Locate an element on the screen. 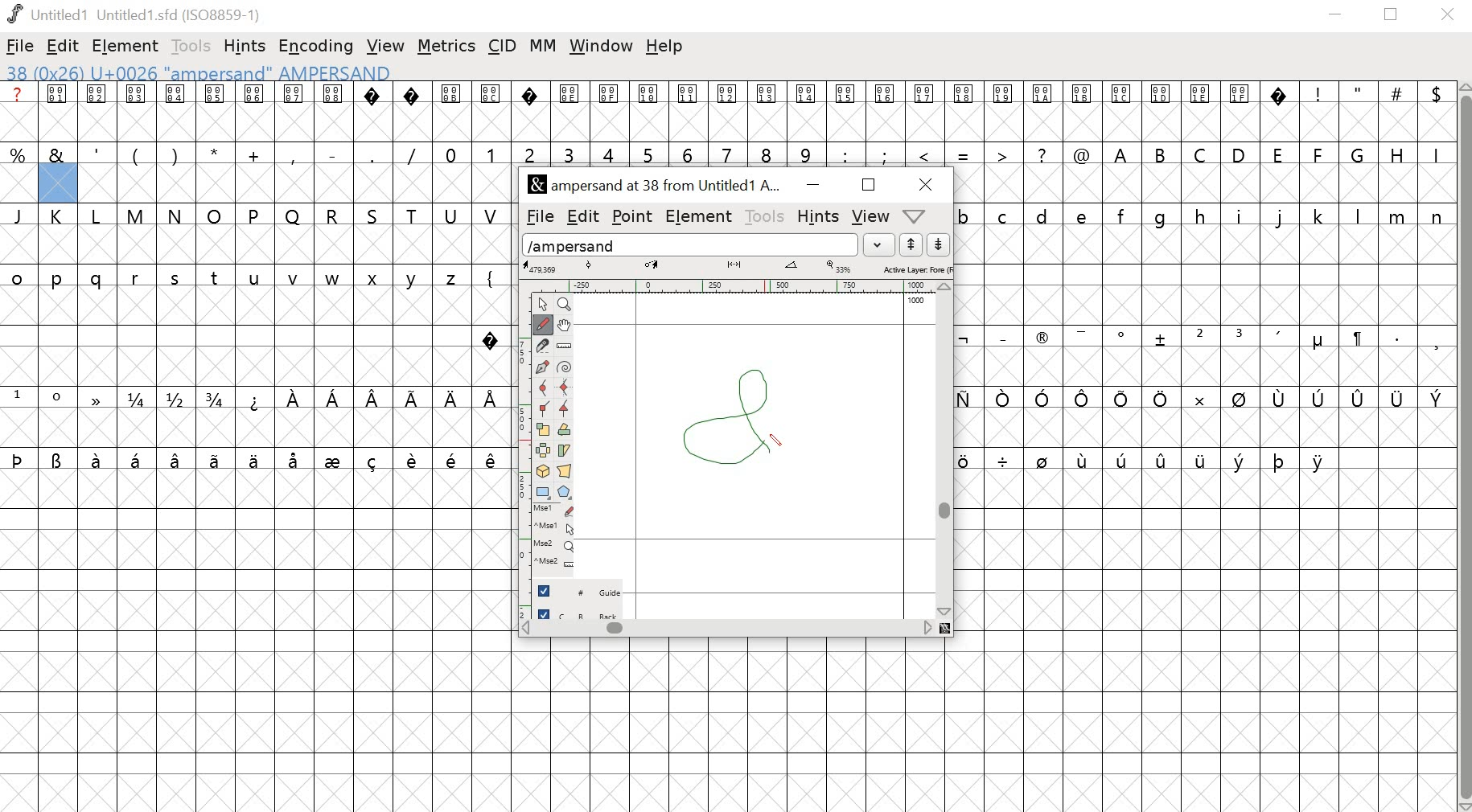 This screenshot has height=812, width=1472. help is located at coordinates (667, 47).